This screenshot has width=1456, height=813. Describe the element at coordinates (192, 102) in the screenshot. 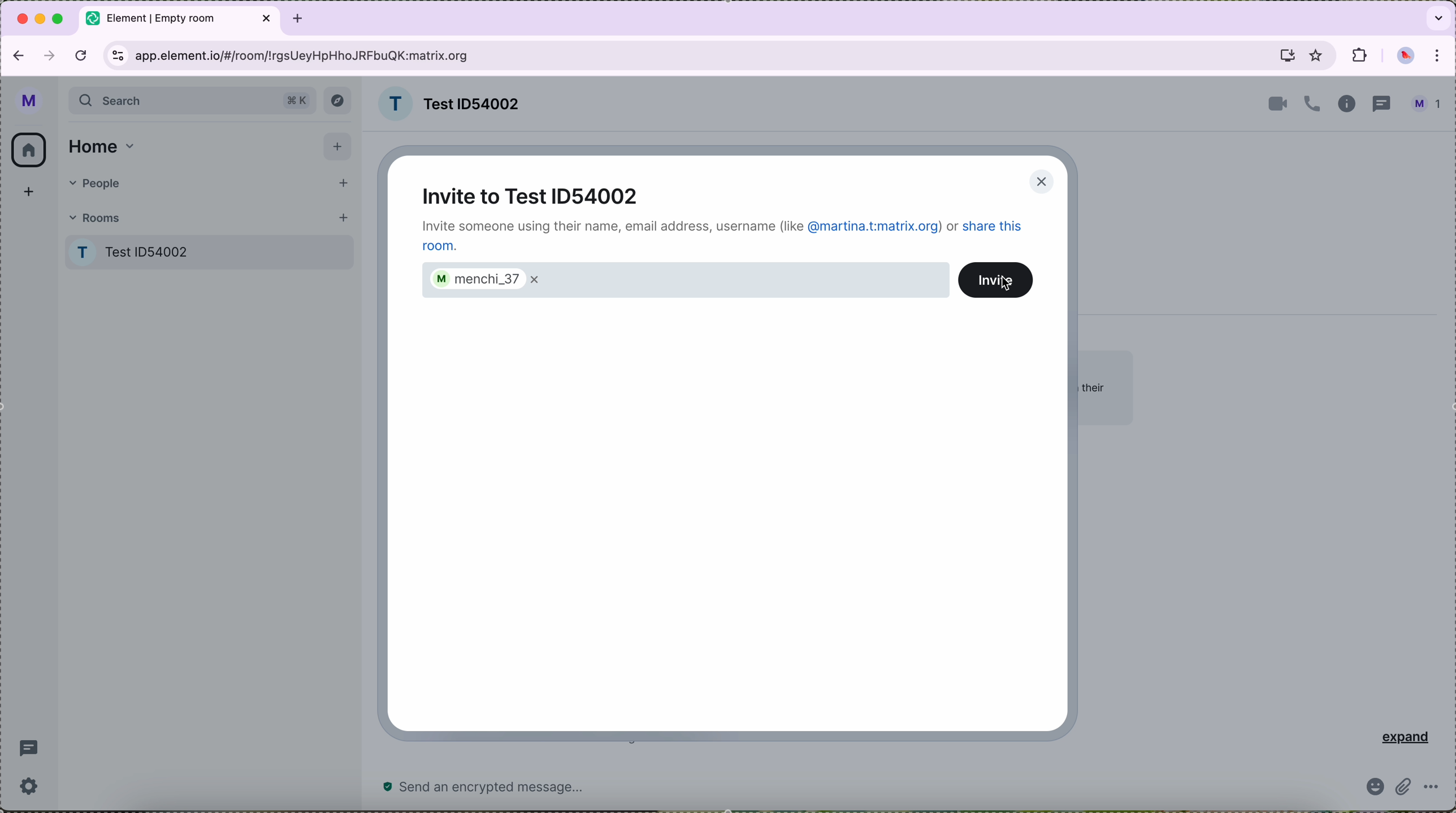

I see `search bar` at that location.